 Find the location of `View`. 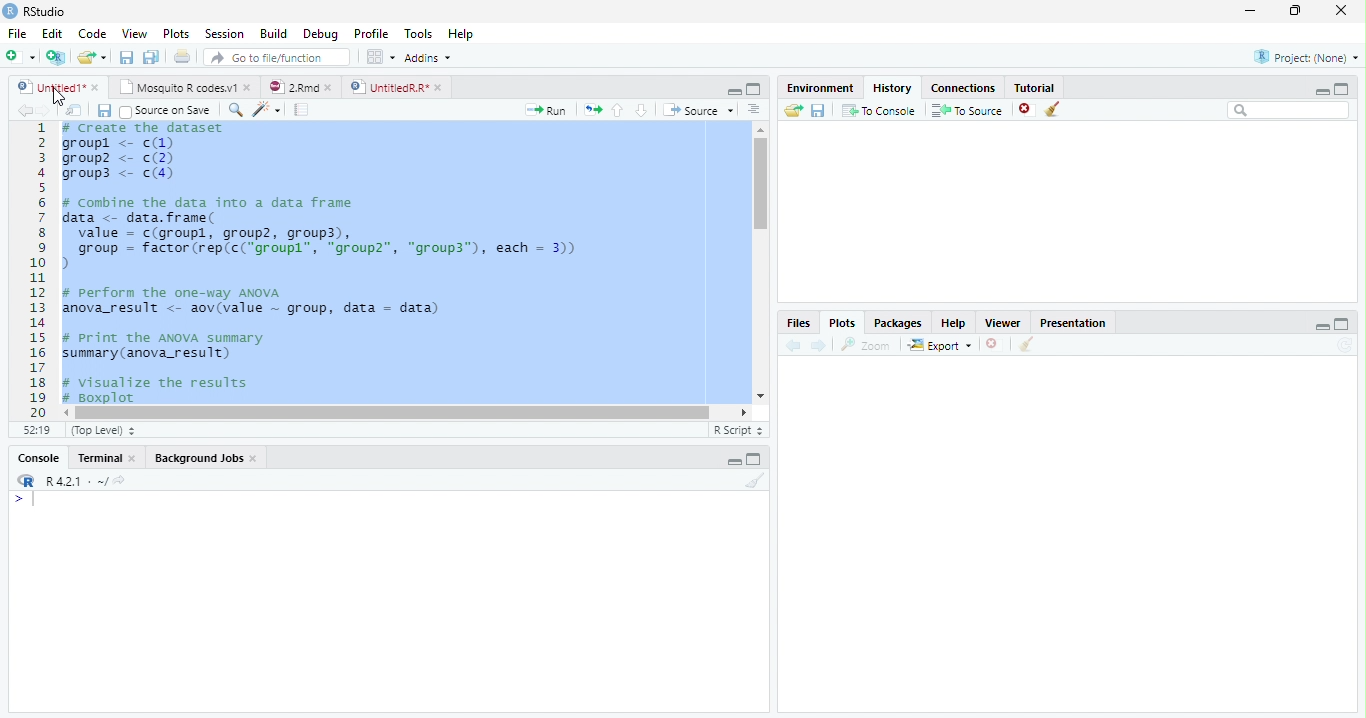

View is located at coordinates (134, 35).